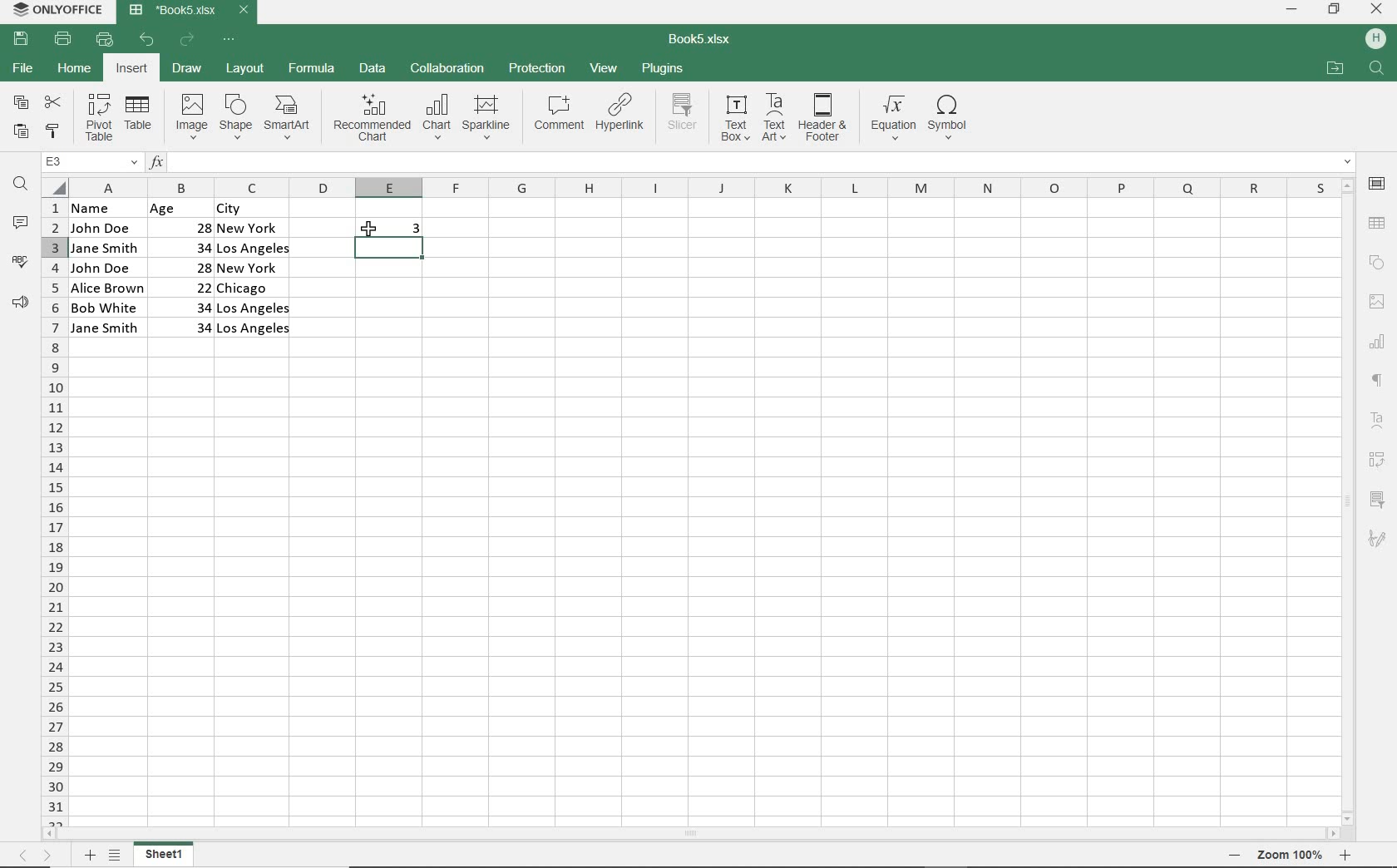  Describe the element at coordinates (20, 265) in the screenshot. I see `SPELL CHECKER` at that location.